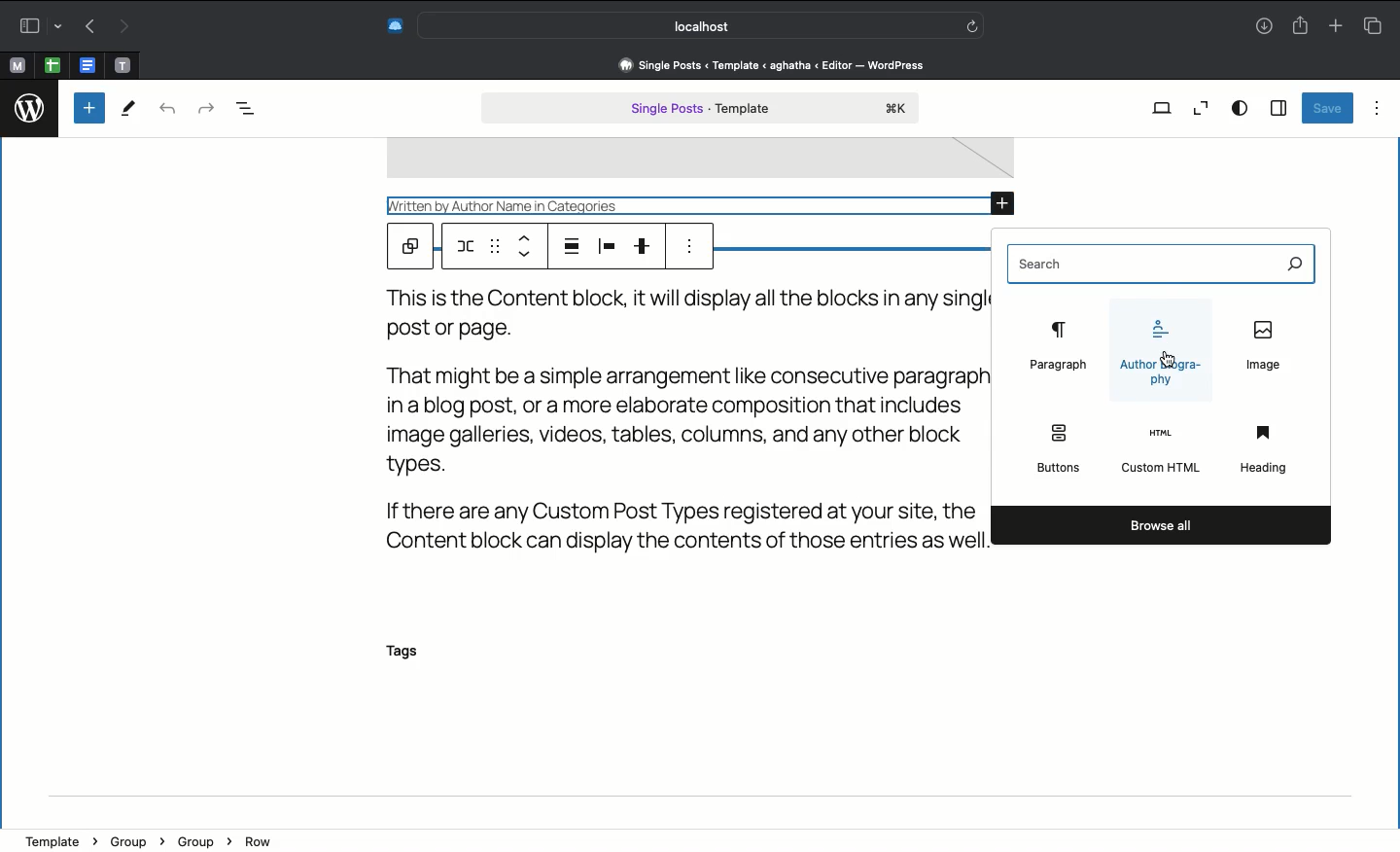  What do you see at coordinates (393, 25) in the screenshot?
I see `Extensions` at bounding box center [393, 25].